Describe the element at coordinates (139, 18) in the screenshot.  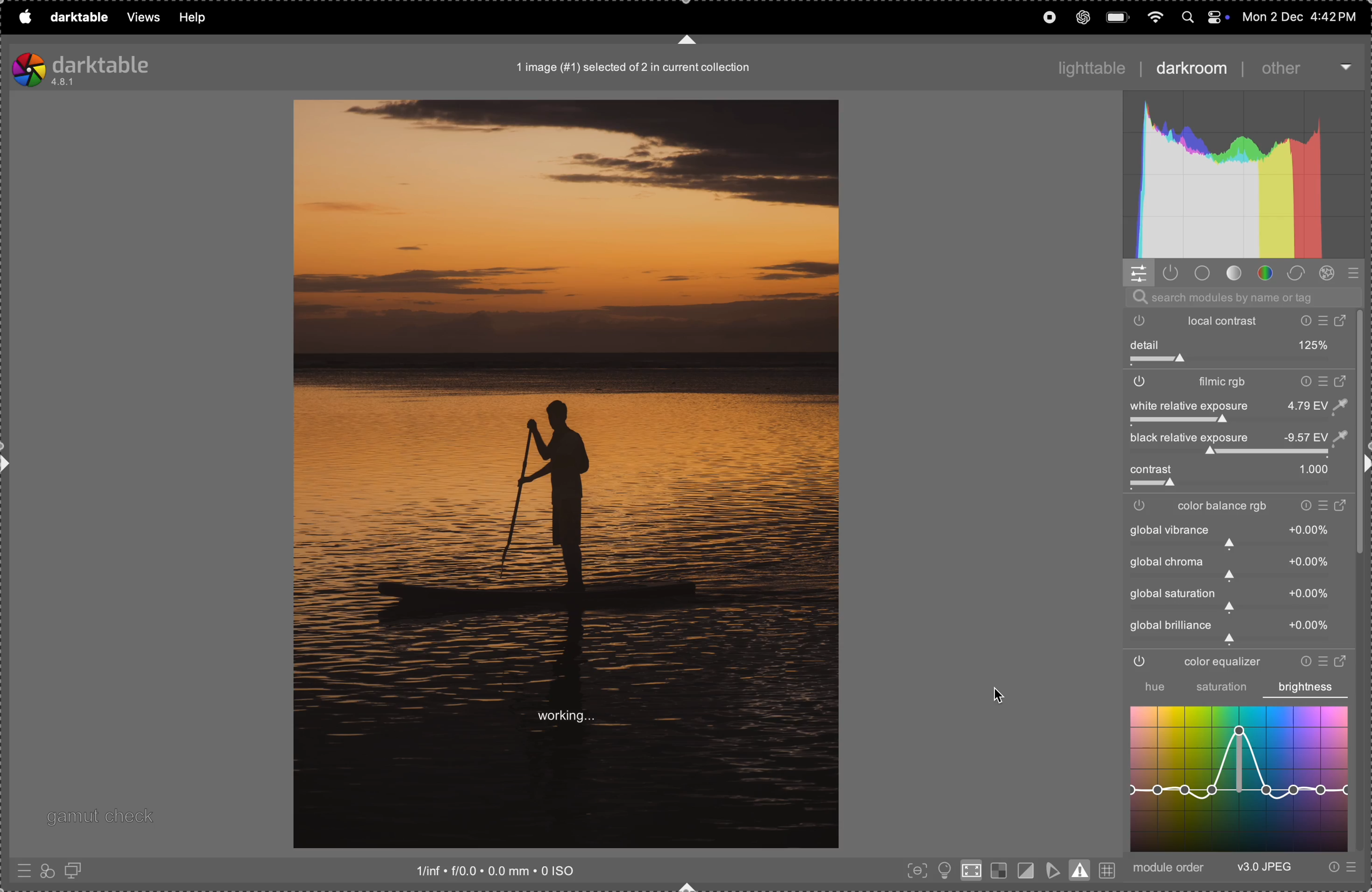
I see `views` at that location.